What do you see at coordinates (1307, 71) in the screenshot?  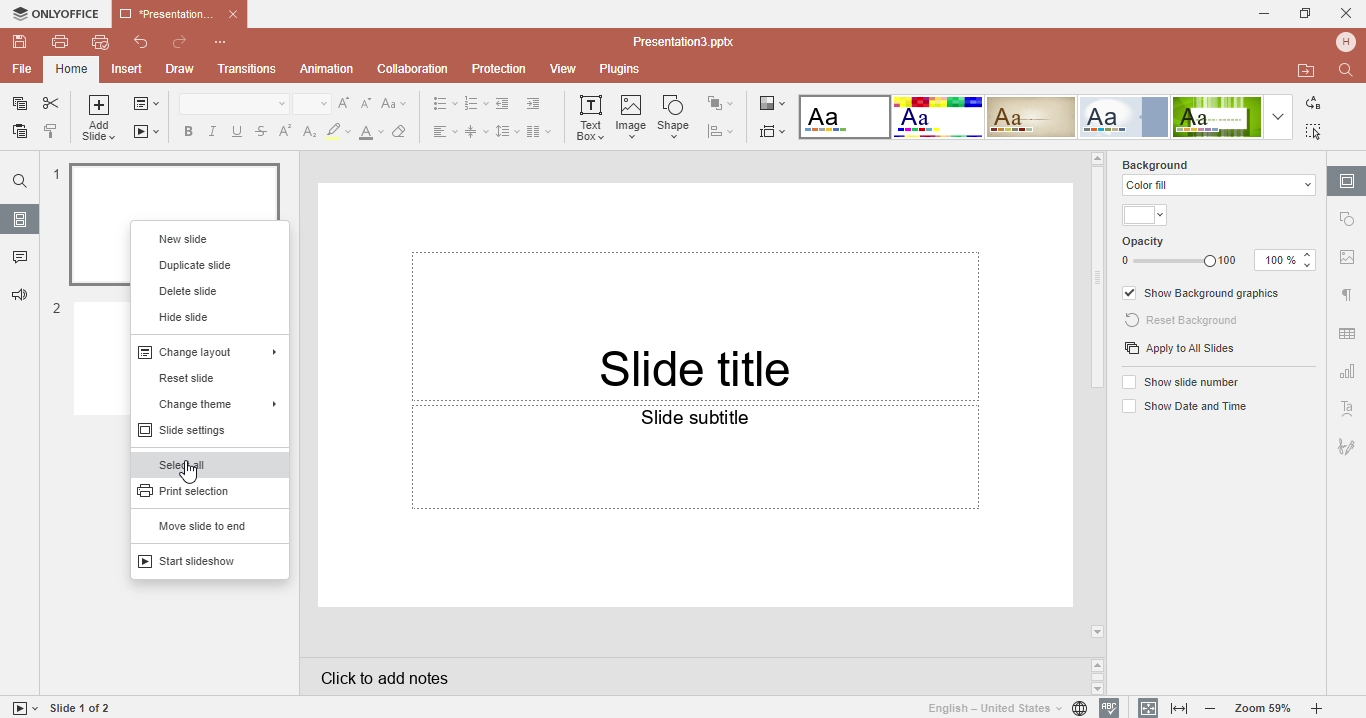 I see `Open file` at bounding box center [1307, 71].